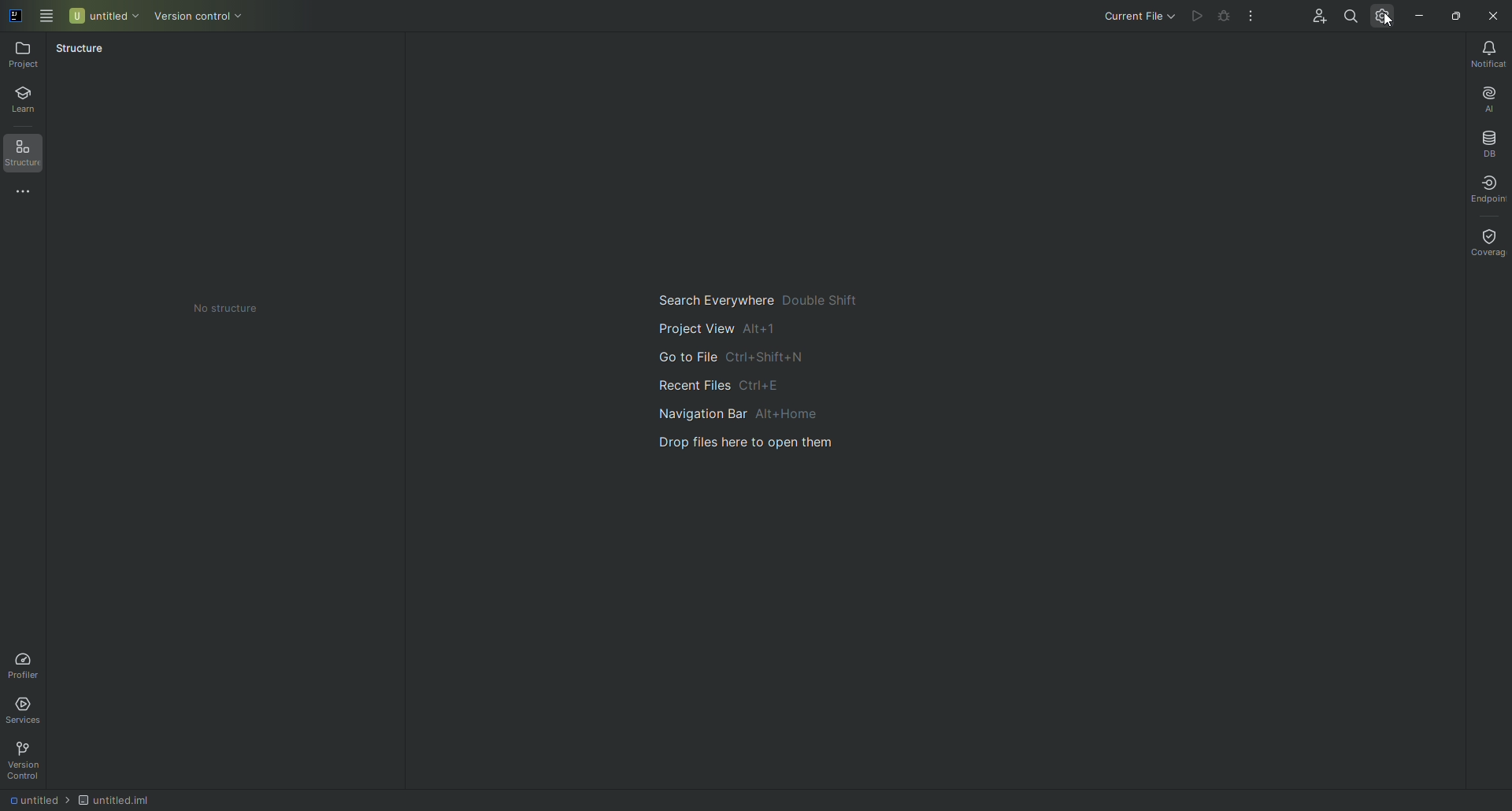 The height and width of the screenshot is (811, 1512). Describe the element at coordinates (1385, 20) in the screenshot. I see `Updates and Settings` at that location.